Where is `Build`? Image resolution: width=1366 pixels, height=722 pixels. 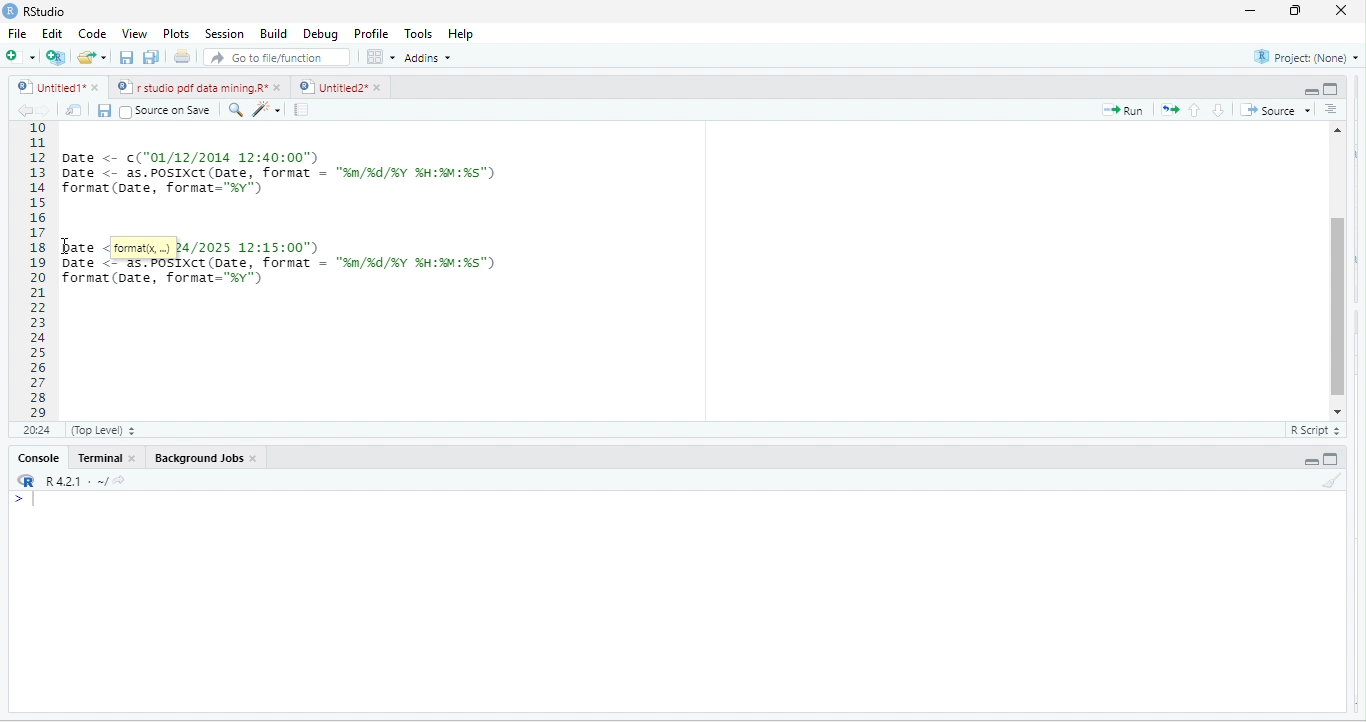
Build is located at coordinates (272, 35).